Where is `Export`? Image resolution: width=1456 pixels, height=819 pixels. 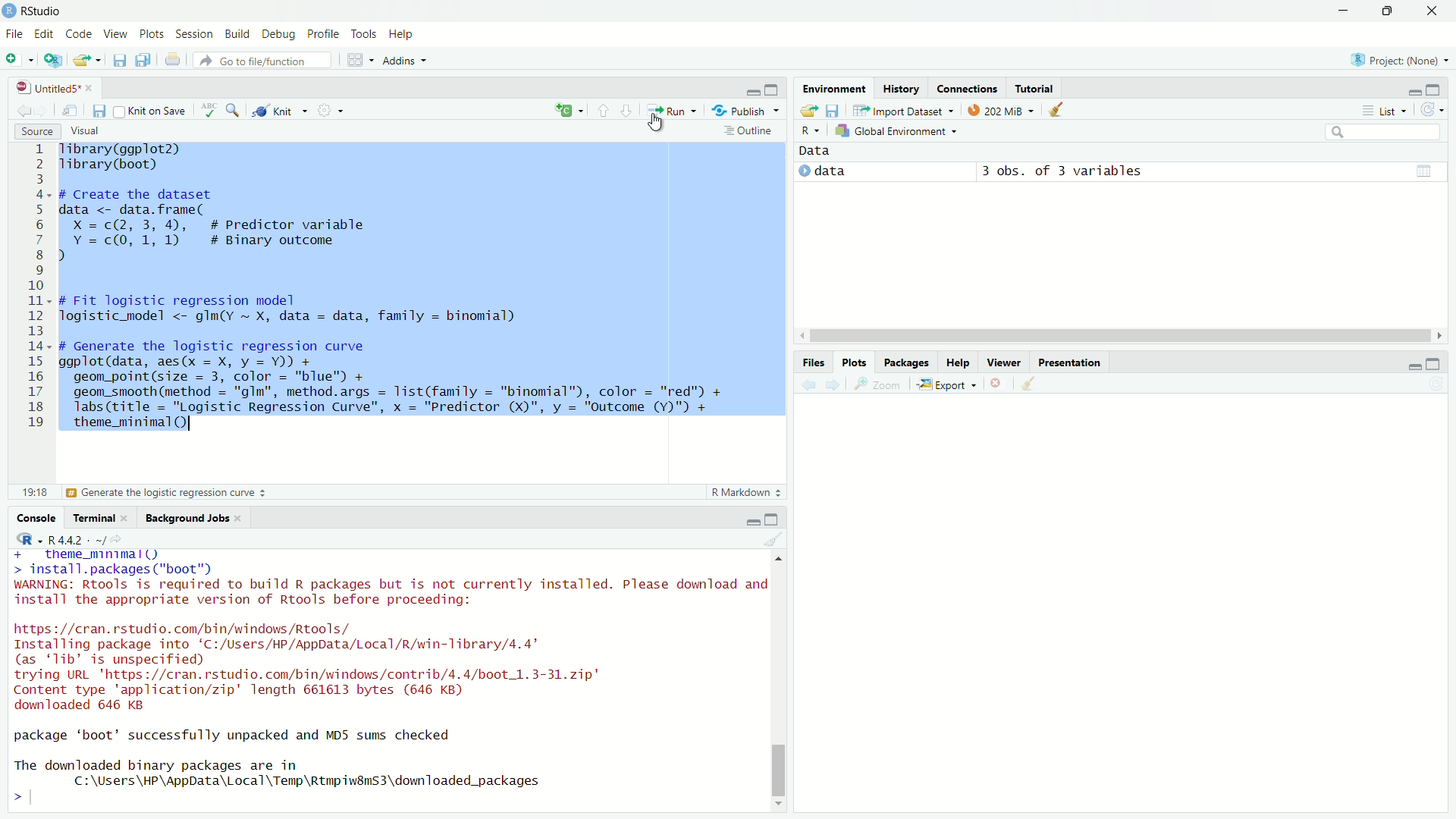
Export is located at coordinates (947, 384).